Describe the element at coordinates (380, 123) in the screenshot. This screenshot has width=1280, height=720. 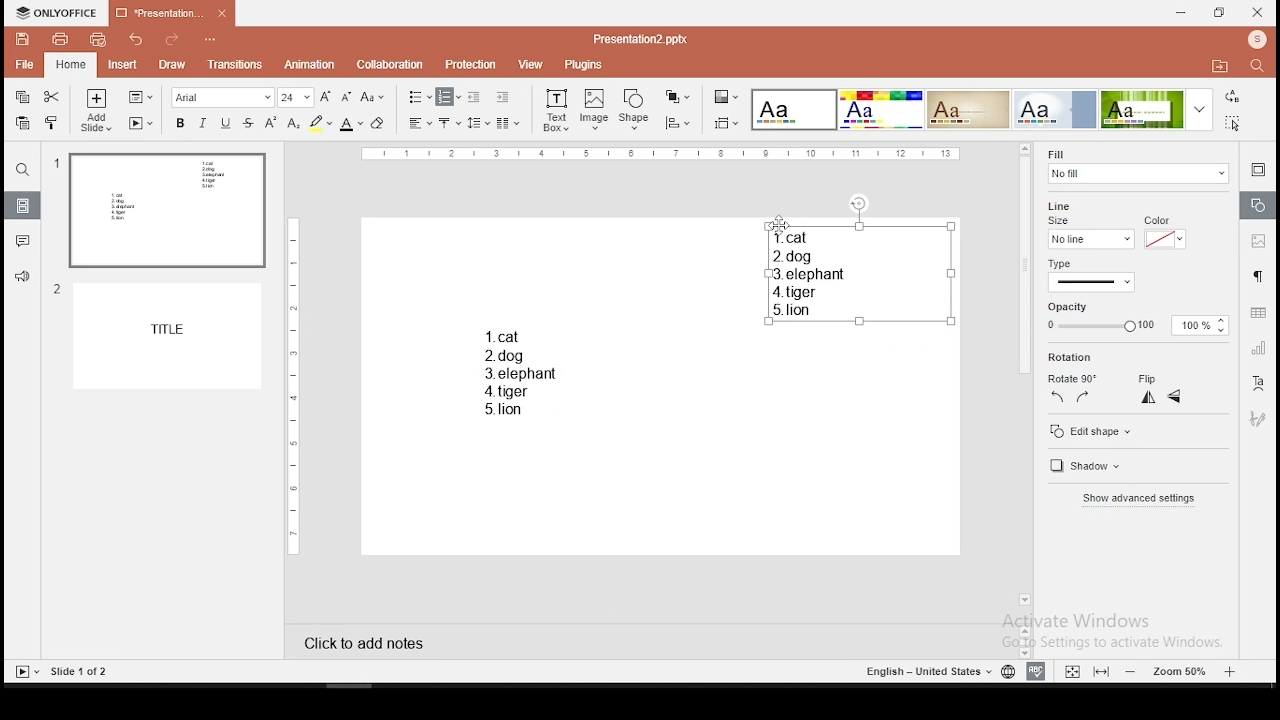
I see `eraser tool` at that location.